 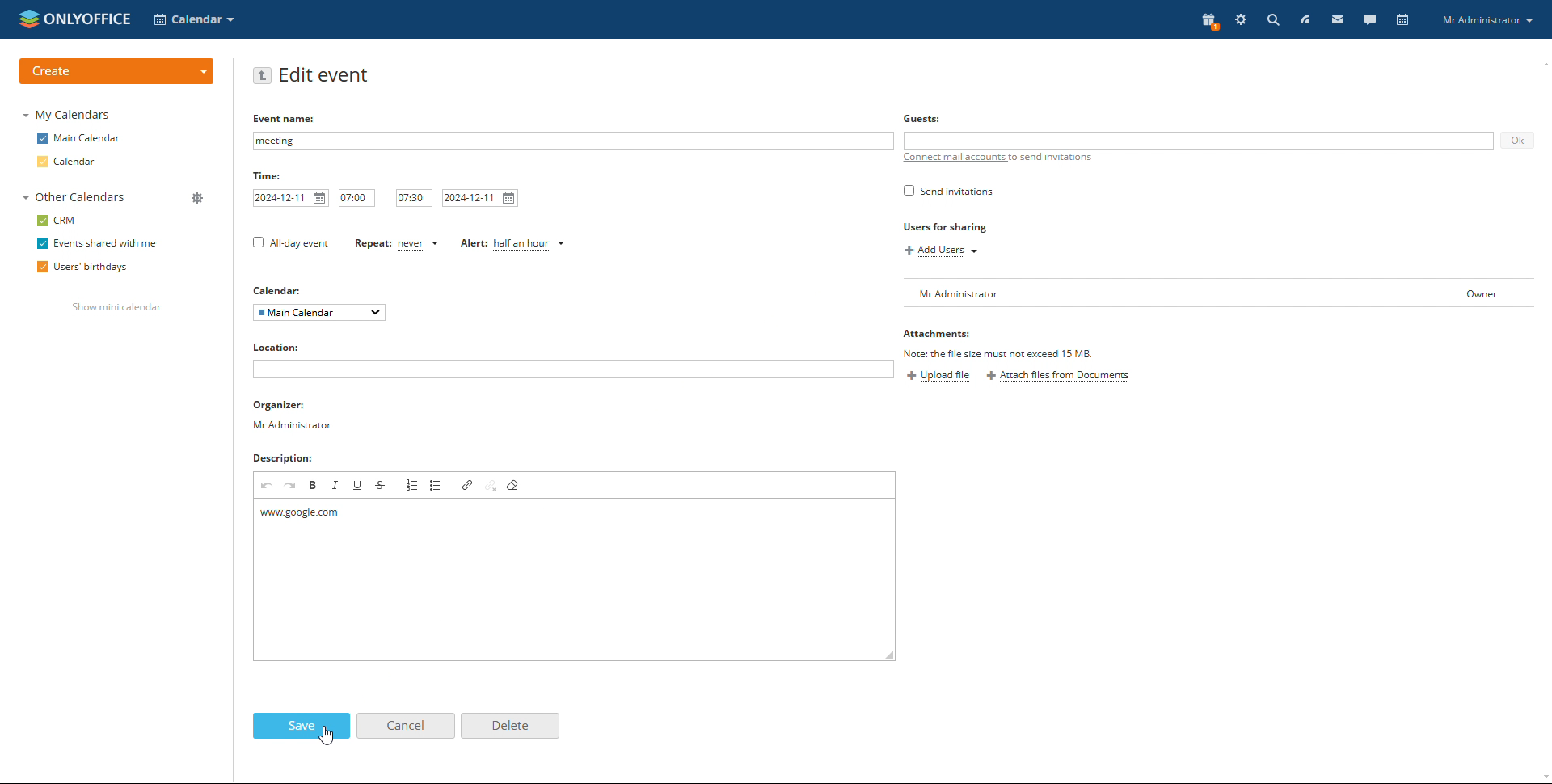 I want to click on events shared with me, so click(x=98, y=243).